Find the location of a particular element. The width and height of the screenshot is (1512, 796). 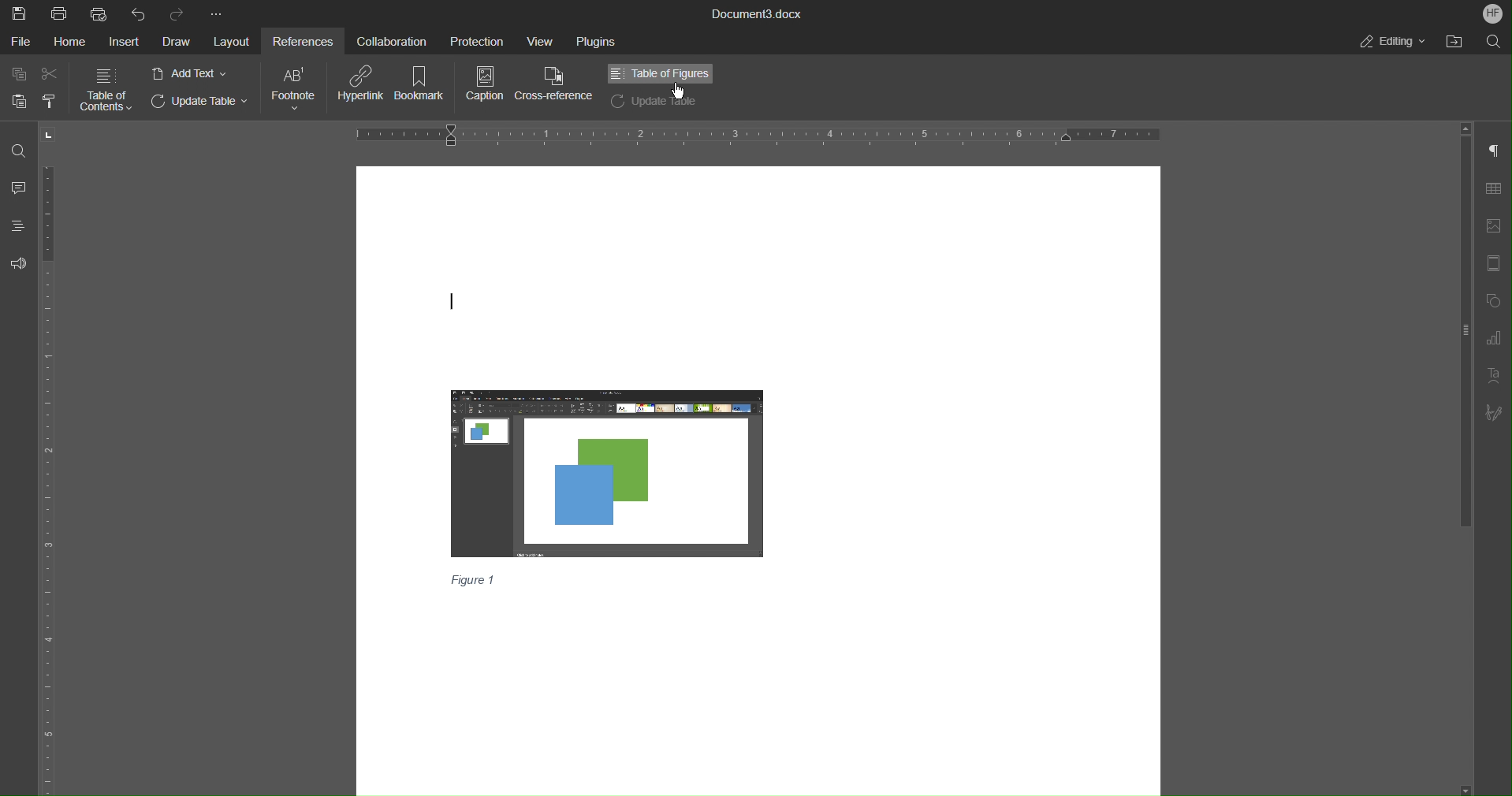

Table Settings is located at coordinates (1494, 189).